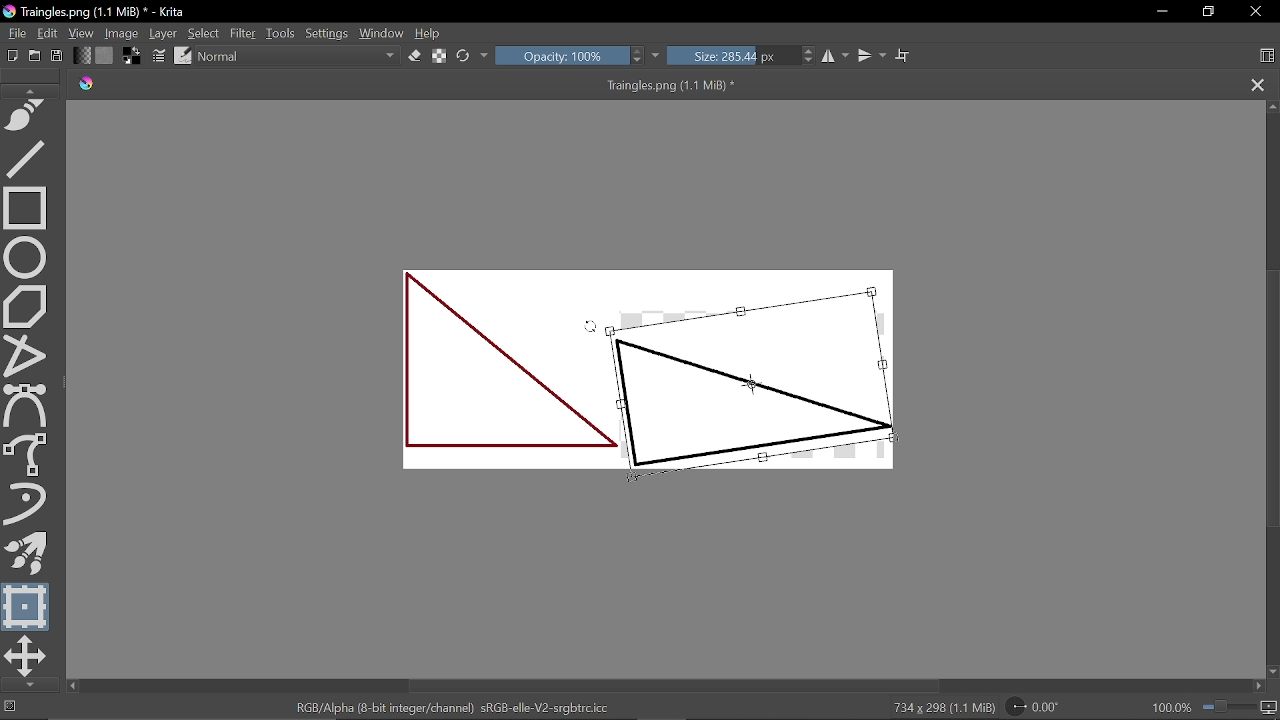 This screenshot has width=1280, height=720. Describe the element at coordinates (134, 55) in the screenshot. I see `Foreground color` at that location.